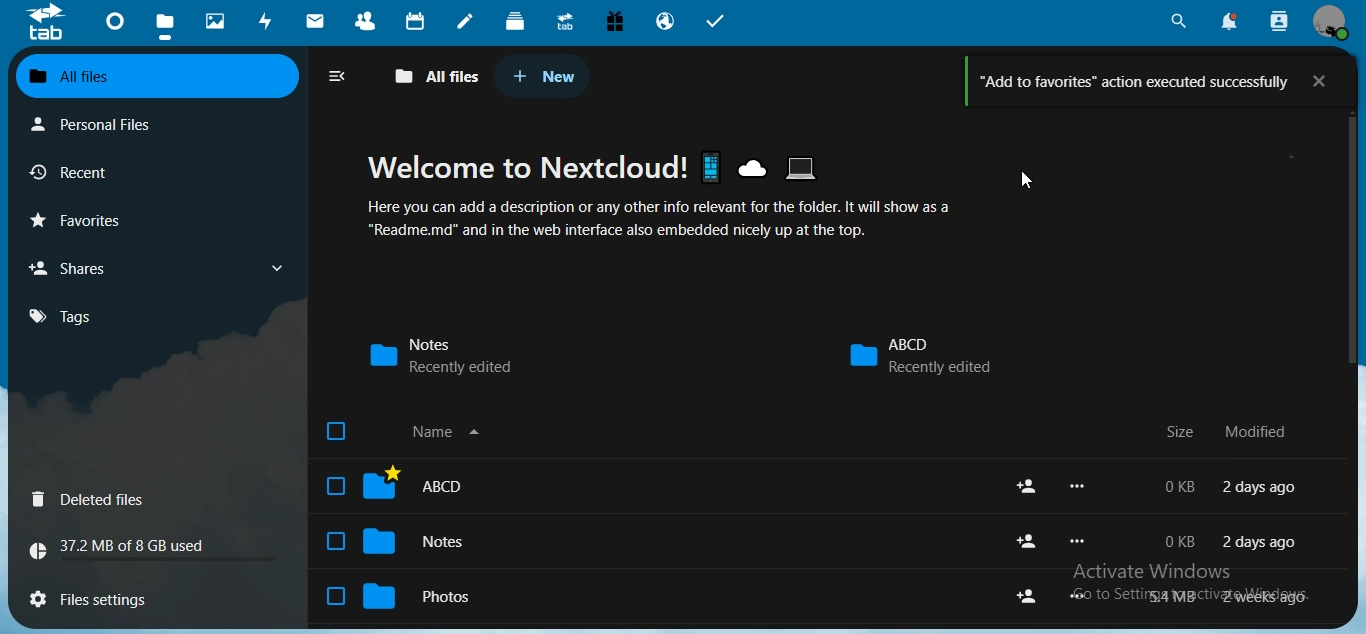 This screenshot has height=634, width=1366. What do you see at coordinates (152, 73) in the screenshot?
I see `all files` at bounding box center [152, 73].